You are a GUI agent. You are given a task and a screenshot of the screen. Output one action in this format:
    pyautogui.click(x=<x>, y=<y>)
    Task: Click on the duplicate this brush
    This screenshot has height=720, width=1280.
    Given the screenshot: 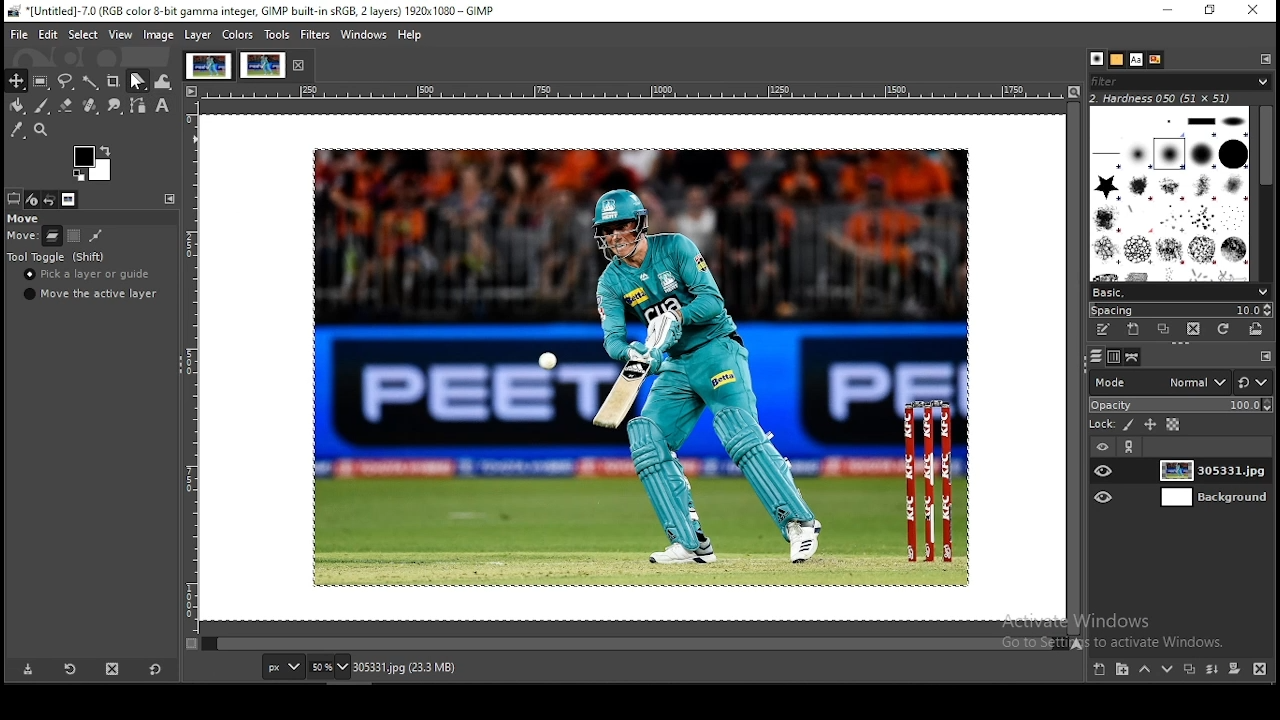 What is the action you would take?
    pyautogui.click(x=1163, y=329)
    